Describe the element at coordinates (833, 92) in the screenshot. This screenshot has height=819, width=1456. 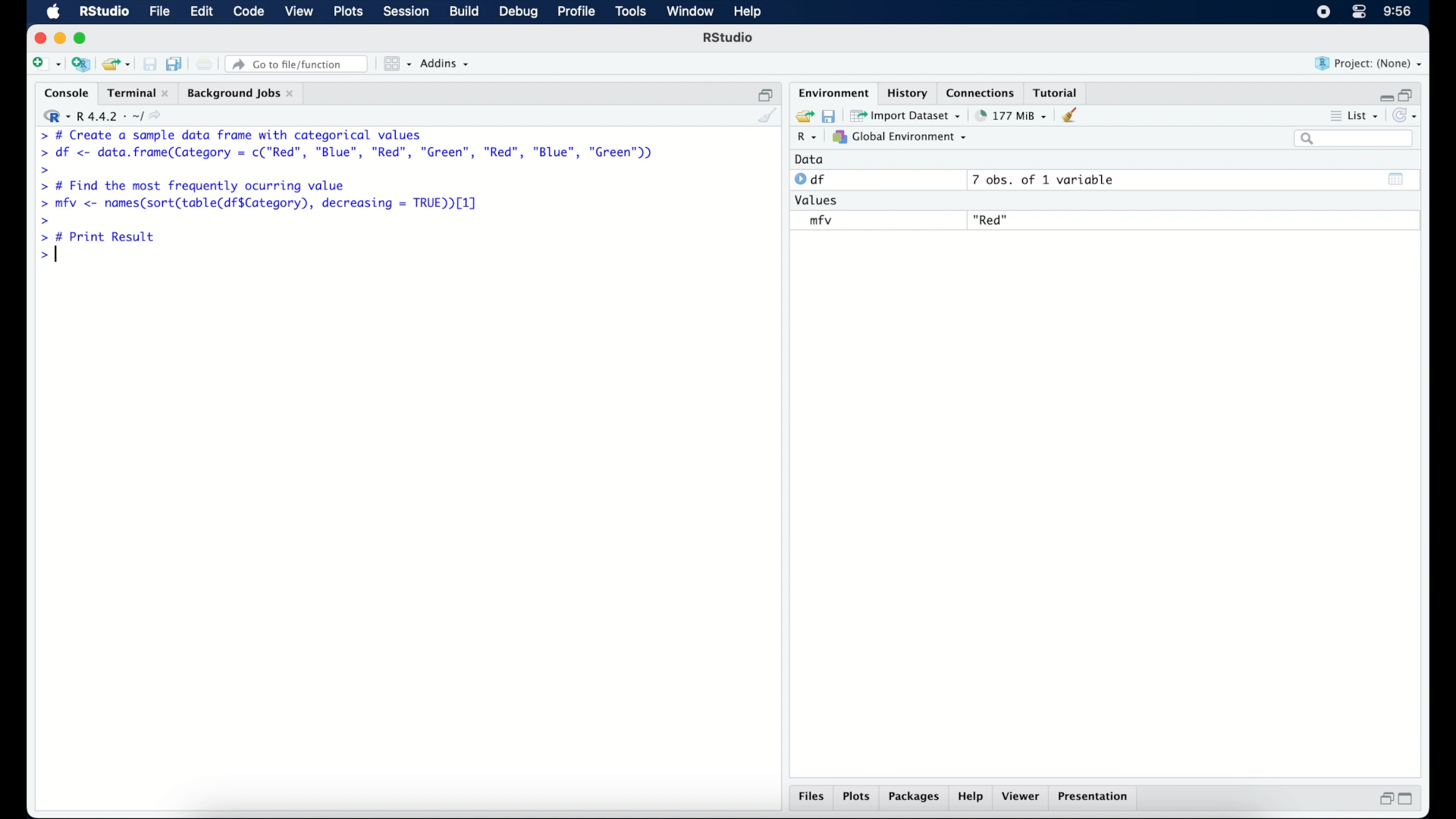
I see `environment` at that location.